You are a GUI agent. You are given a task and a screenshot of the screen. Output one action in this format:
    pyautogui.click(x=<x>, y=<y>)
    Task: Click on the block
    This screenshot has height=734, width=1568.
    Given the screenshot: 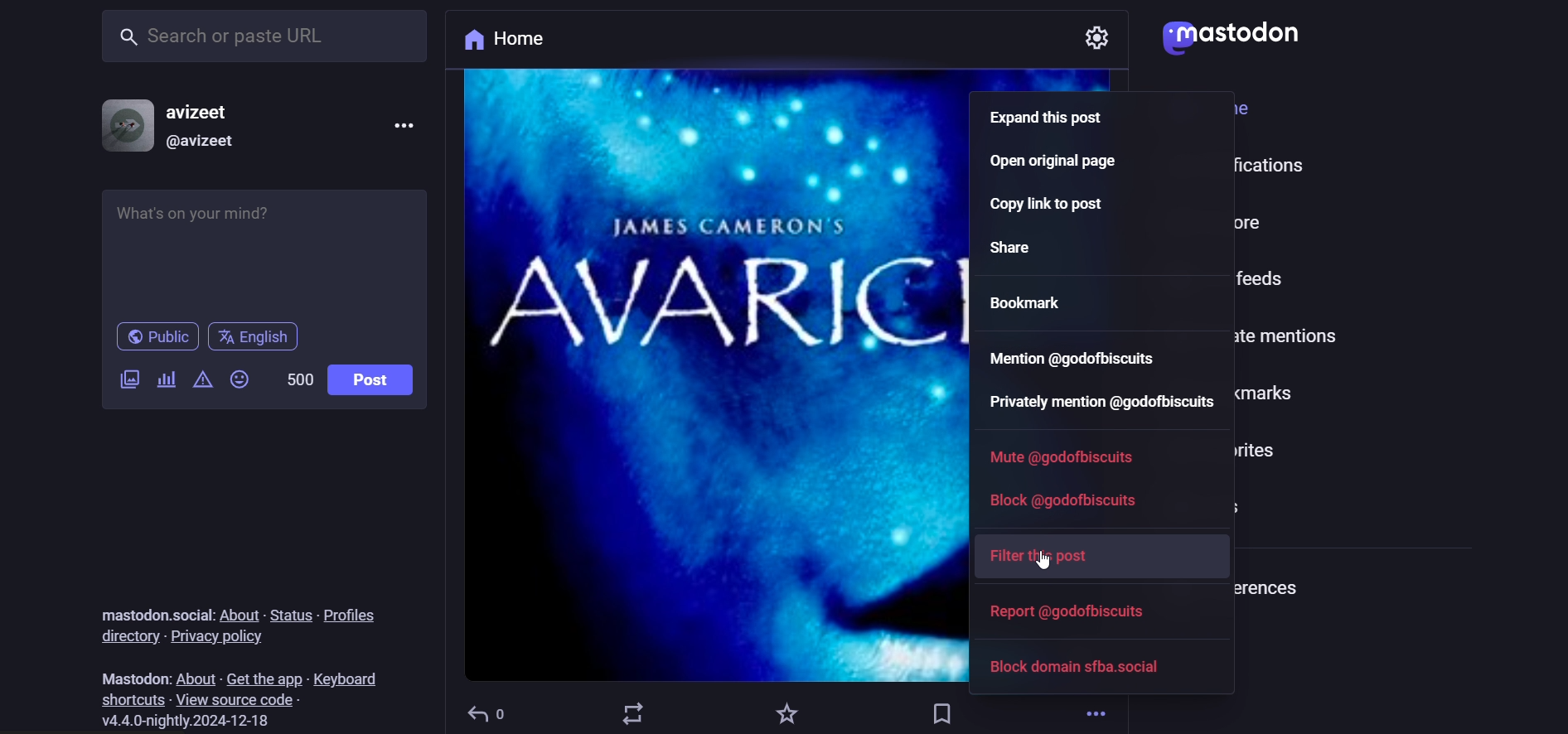 What is the action you would take?
    pyautogui.click(x=1070, y=496)
    